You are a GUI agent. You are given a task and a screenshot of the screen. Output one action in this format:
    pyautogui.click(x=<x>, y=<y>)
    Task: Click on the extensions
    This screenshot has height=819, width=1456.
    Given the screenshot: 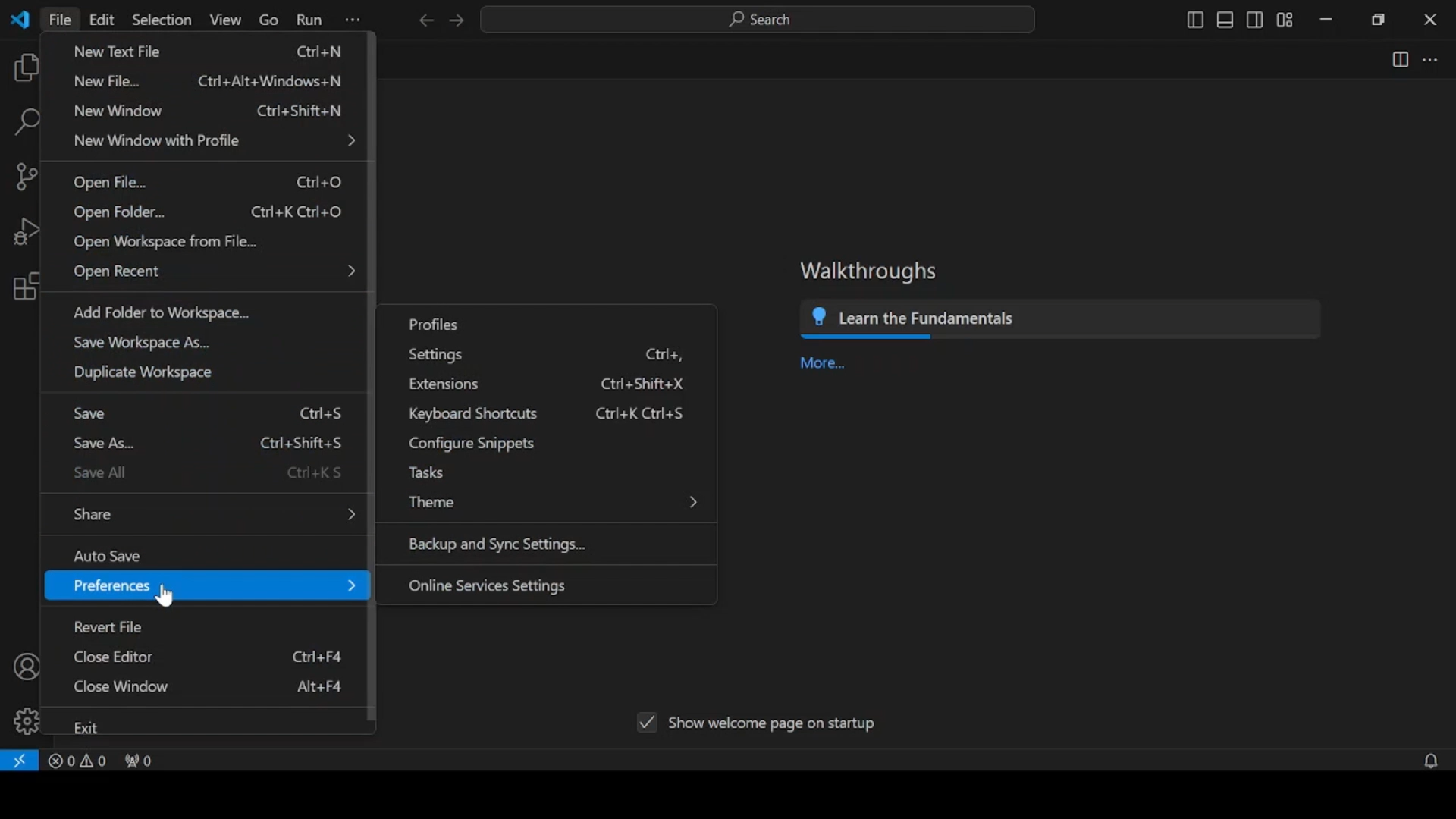 What is the action you would take?
    pyautogui.click(x=25, y=284)
    